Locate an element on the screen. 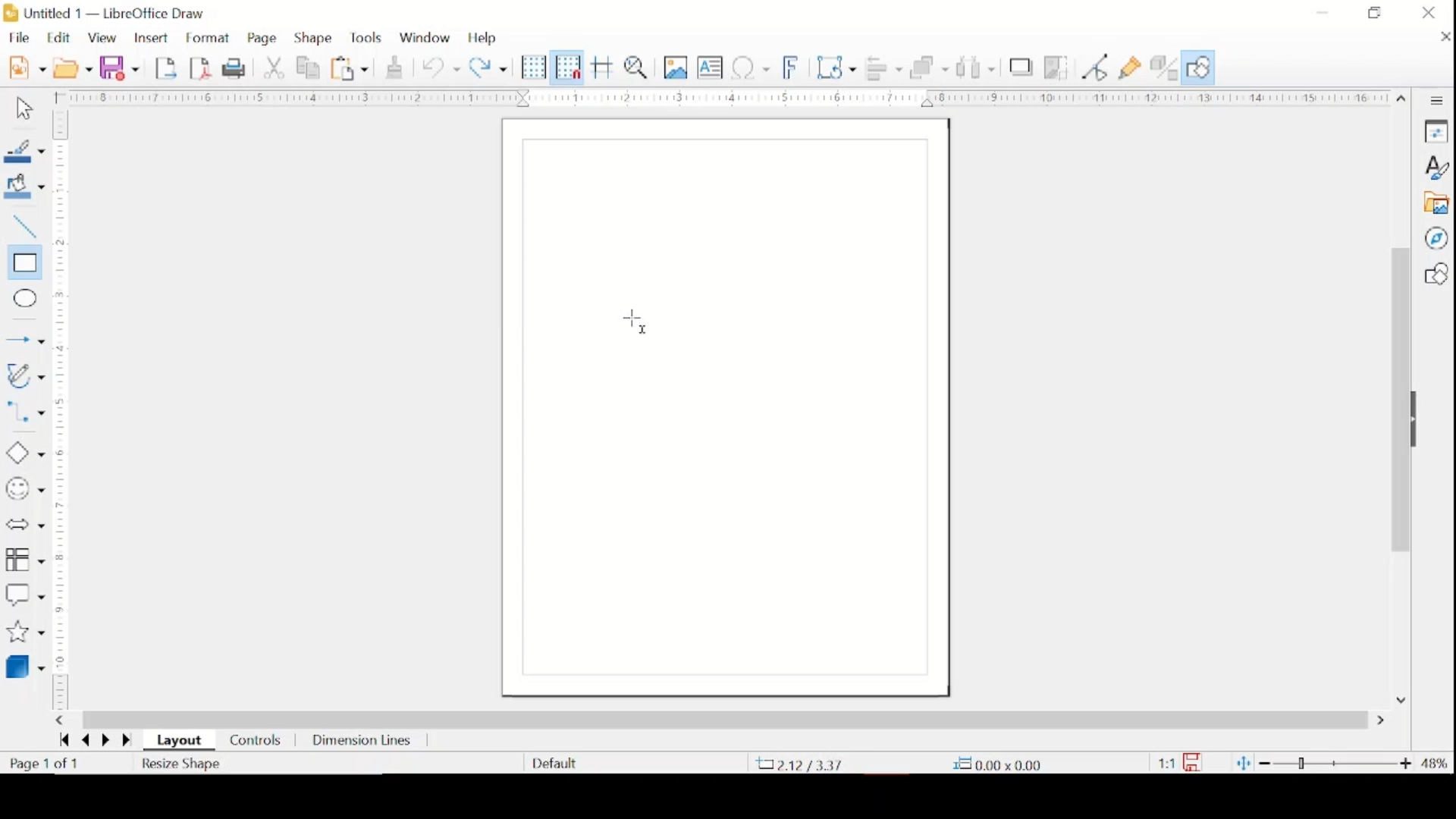 This screenshot has height=819, width=1456. drag handle is located at coordinates (1420, 420).